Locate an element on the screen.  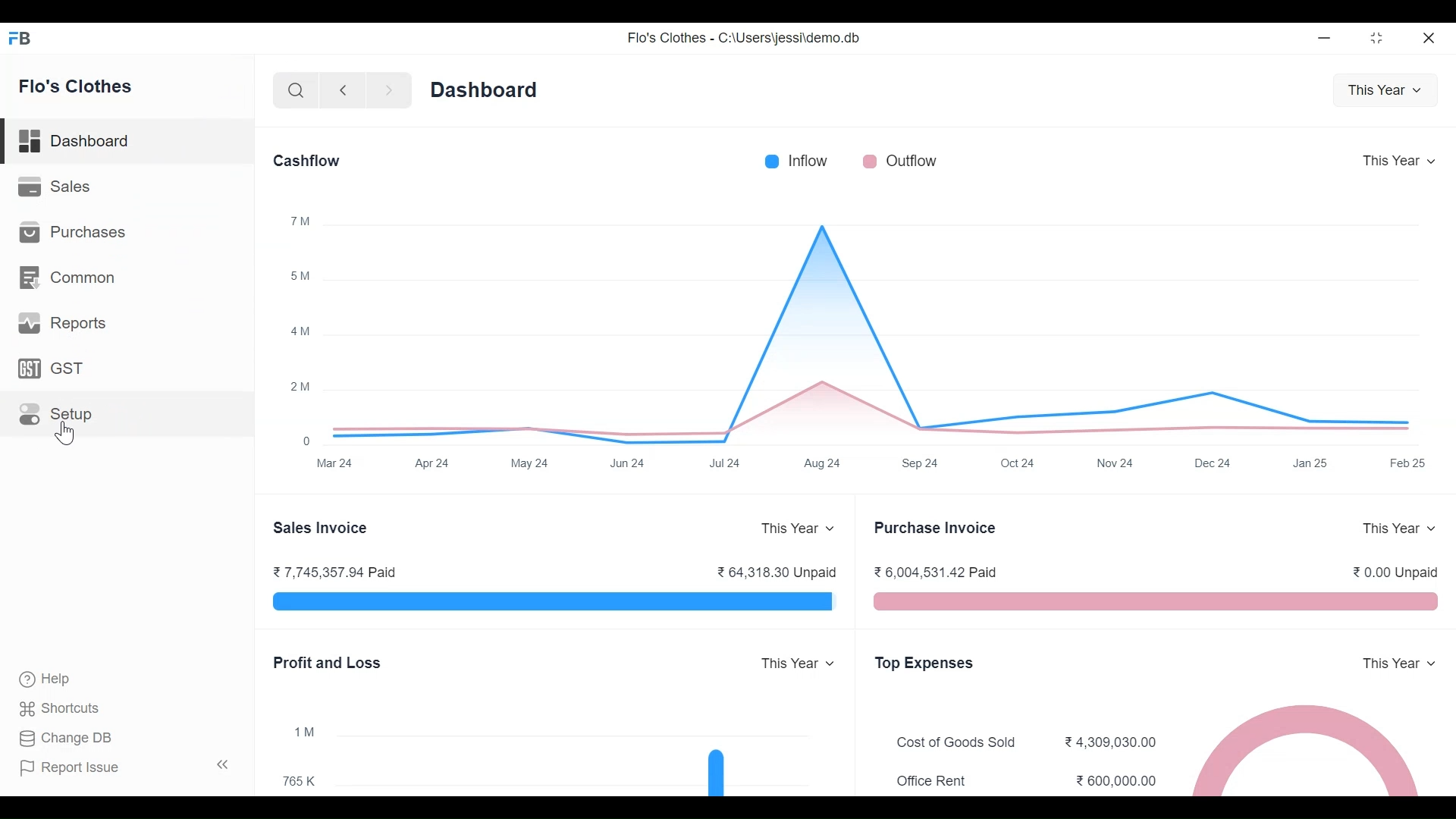
Jun 24 is located at coordinates (629, 463).